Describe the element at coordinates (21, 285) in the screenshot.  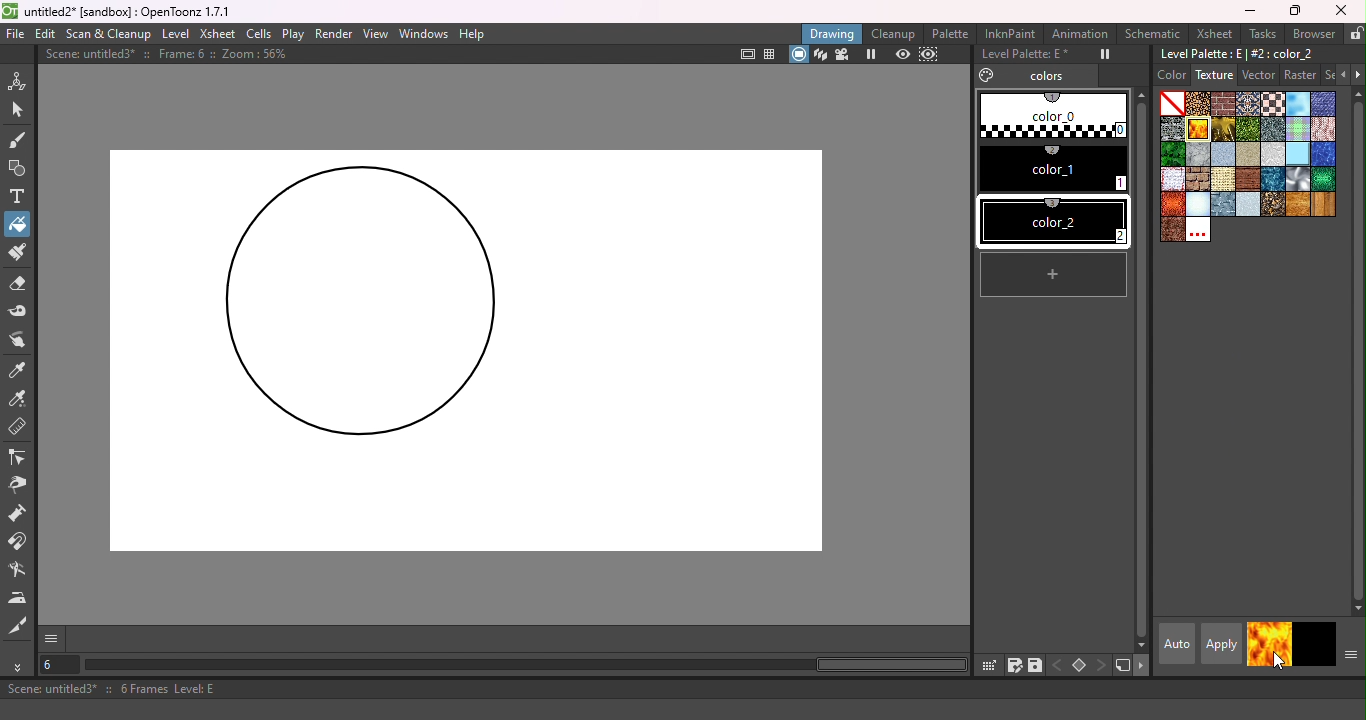
I see `Eraser tool` at that location.